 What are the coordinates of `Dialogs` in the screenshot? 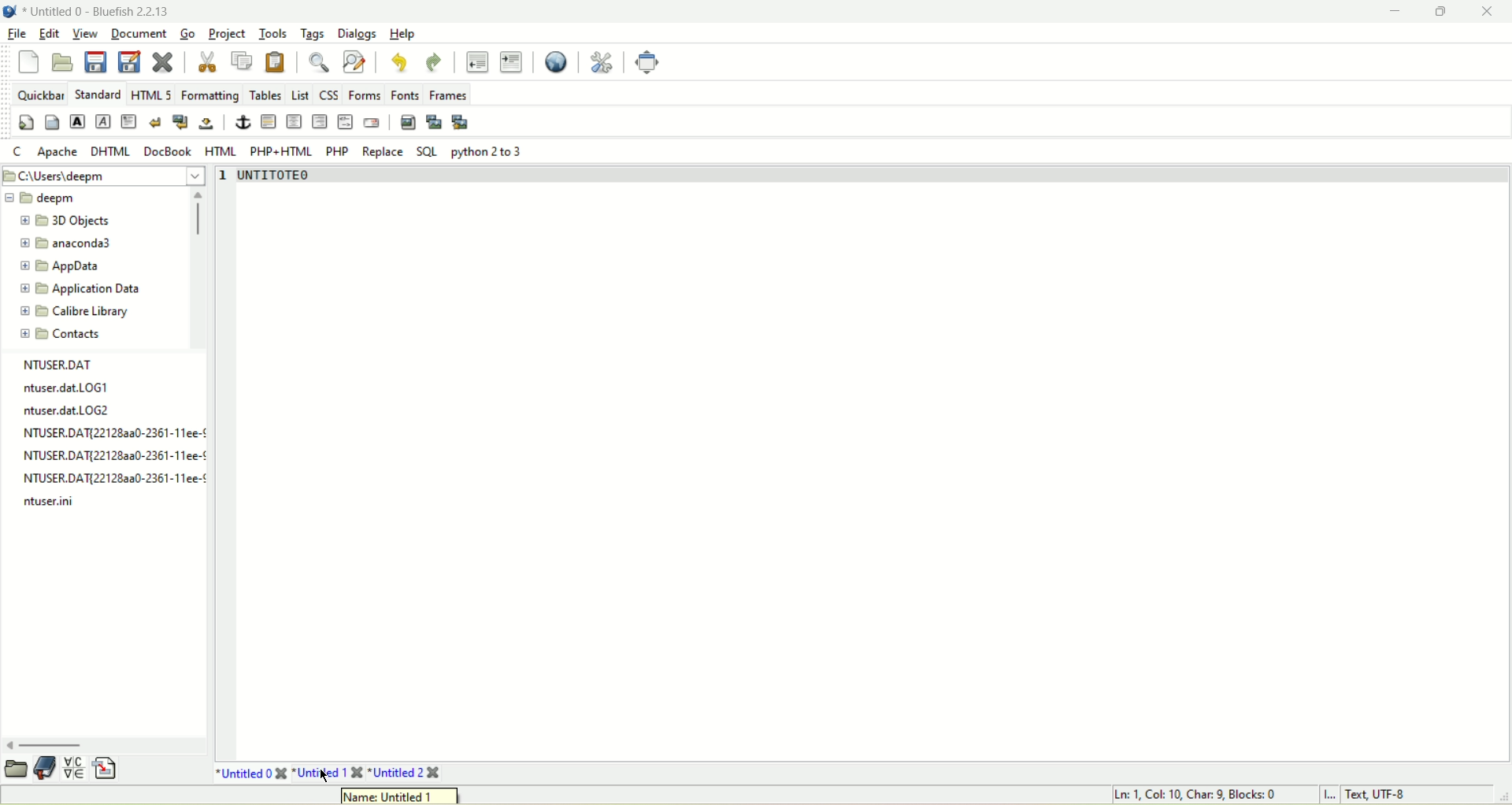 It's located at (359, 35).